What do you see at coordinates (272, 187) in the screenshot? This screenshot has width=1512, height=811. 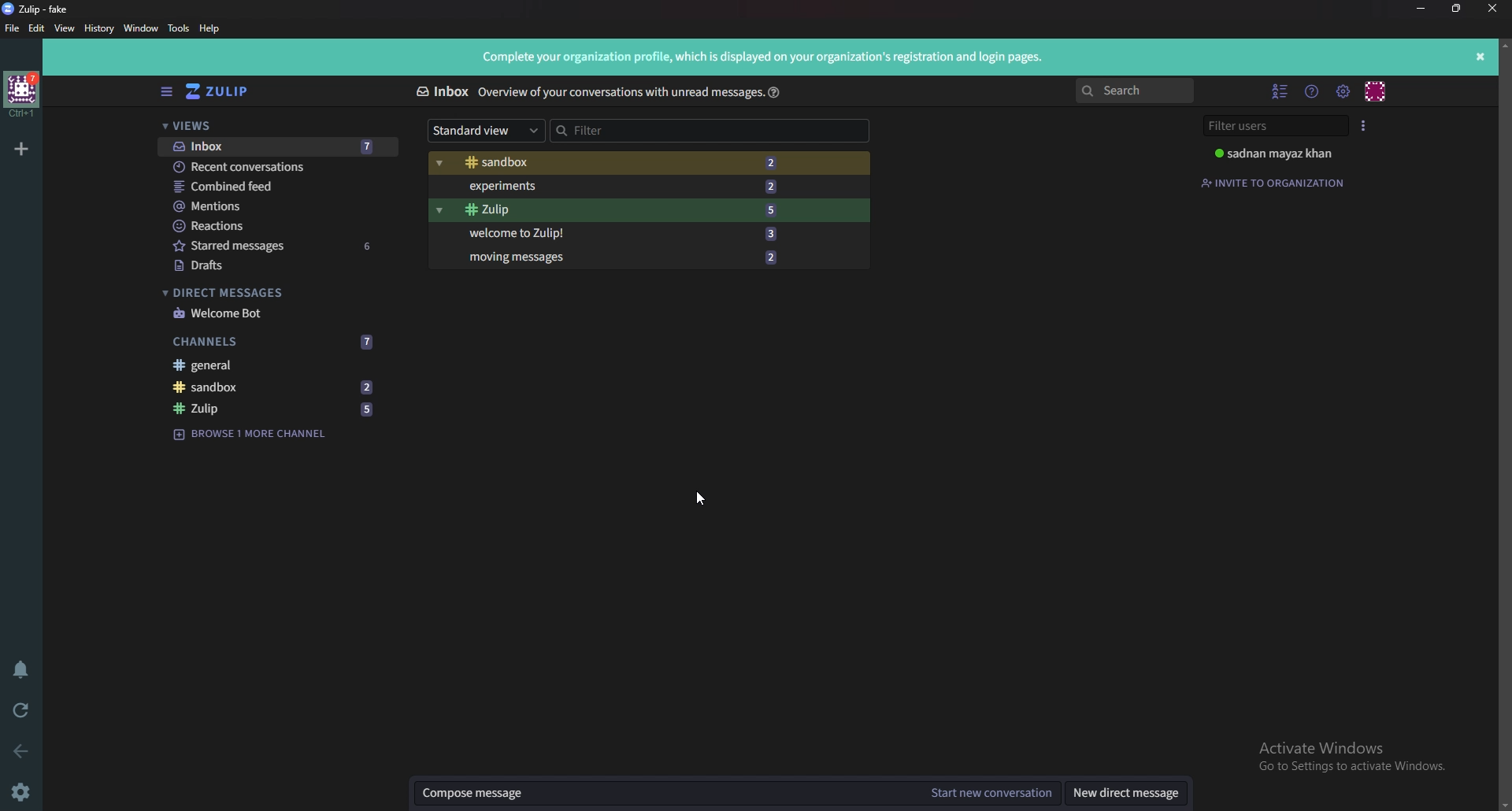 I see `Combined feed` at bounding box center [272, 187].